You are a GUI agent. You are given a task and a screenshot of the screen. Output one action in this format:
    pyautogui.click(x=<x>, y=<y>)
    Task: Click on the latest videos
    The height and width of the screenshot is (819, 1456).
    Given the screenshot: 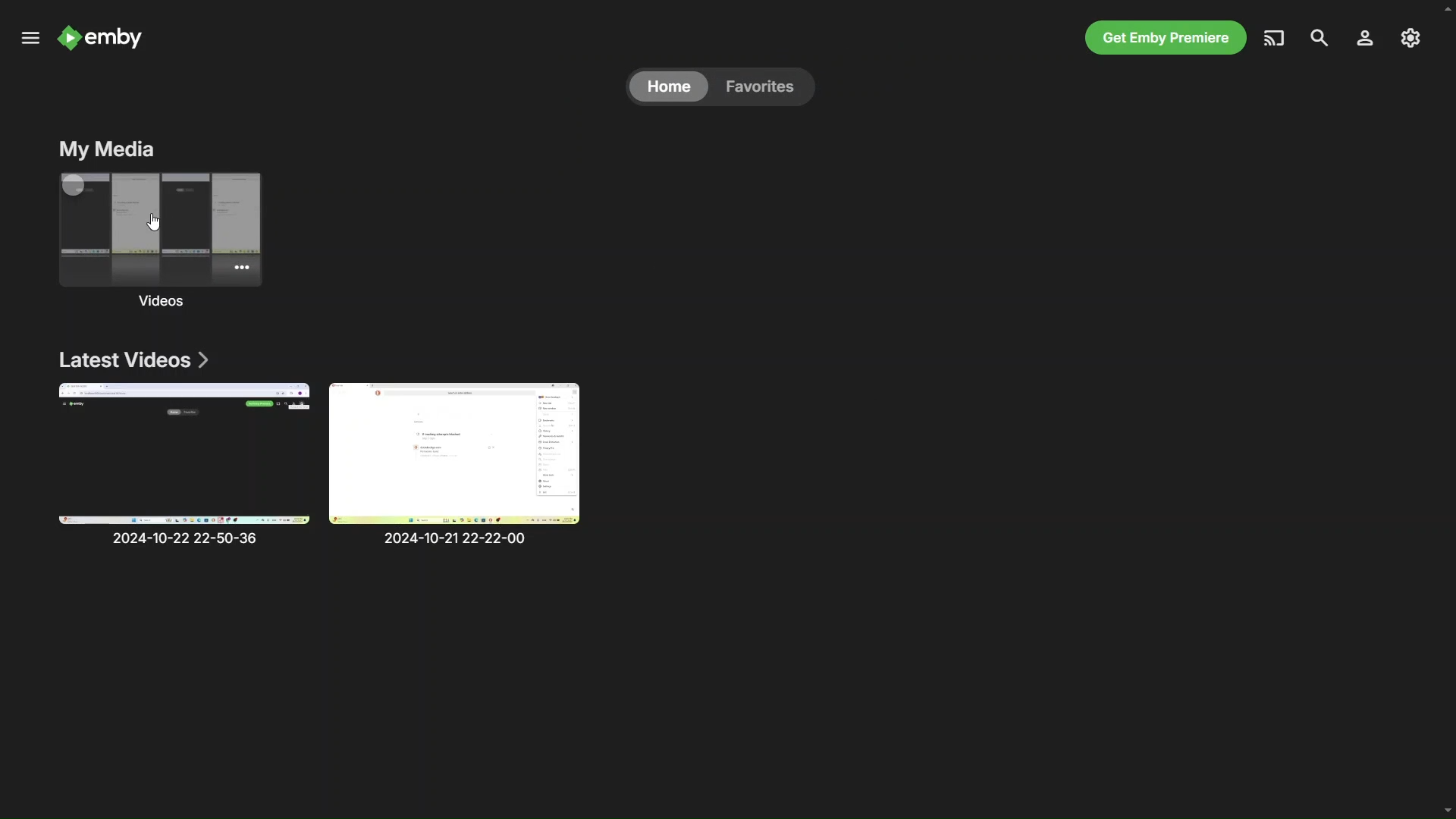 What is the action you would take?
    pyautogui.click(x=137, y=357)
    